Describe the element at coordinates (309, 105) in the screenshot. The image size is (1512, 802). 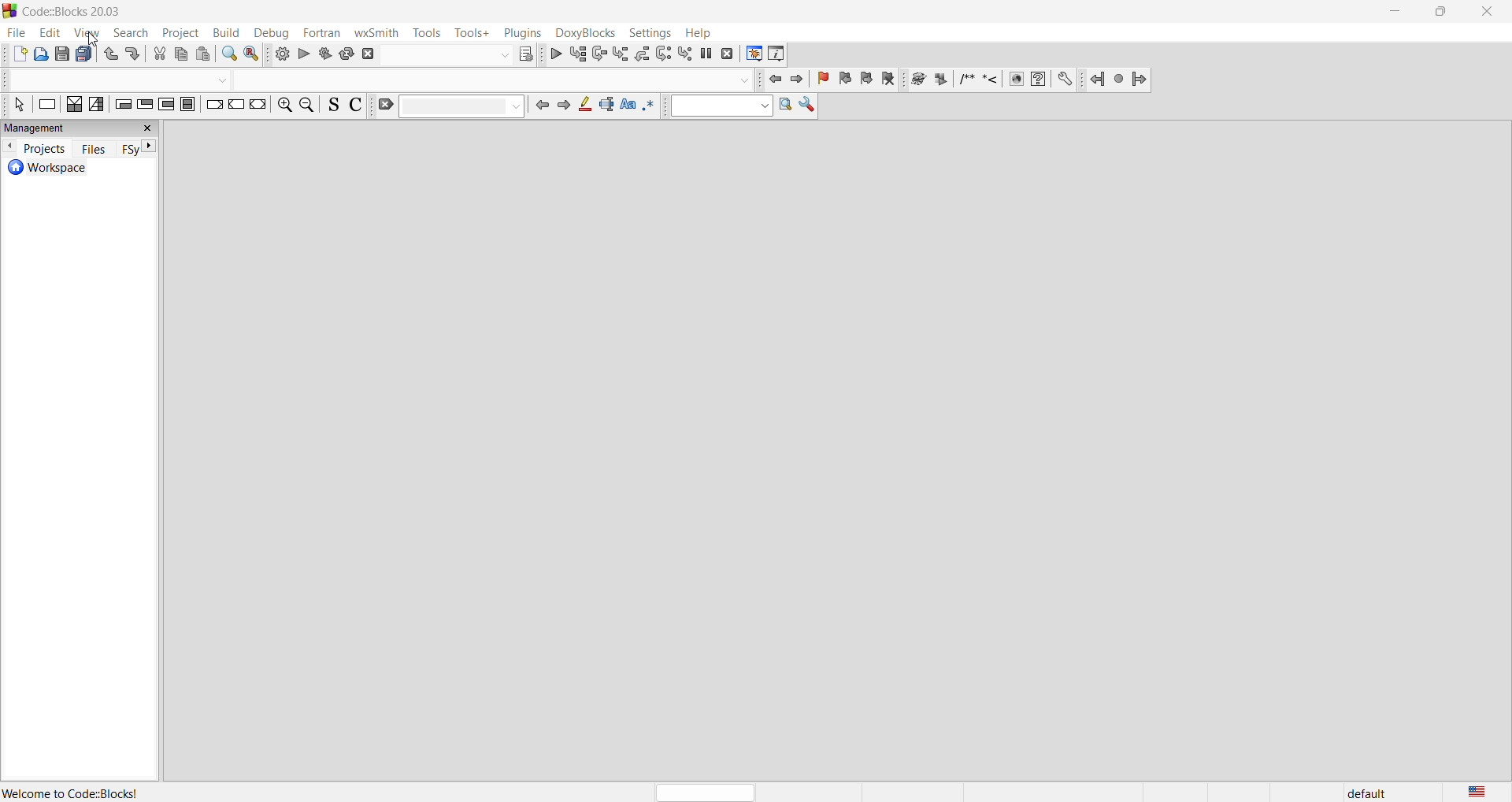
I see `zoom out` at that location.